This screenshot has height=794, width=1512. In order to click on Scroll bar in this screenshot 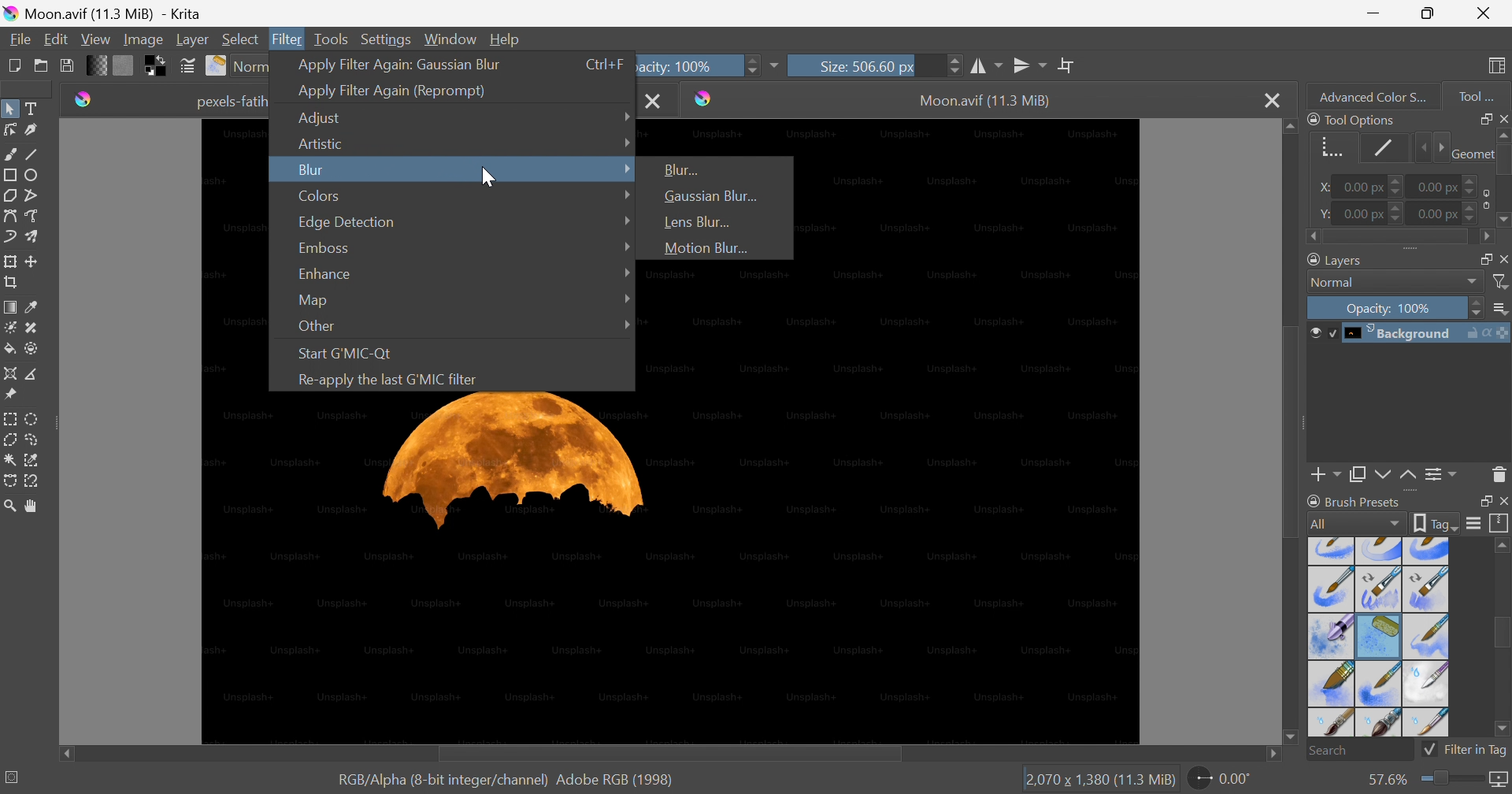, I will do `click(1399, 238)`.